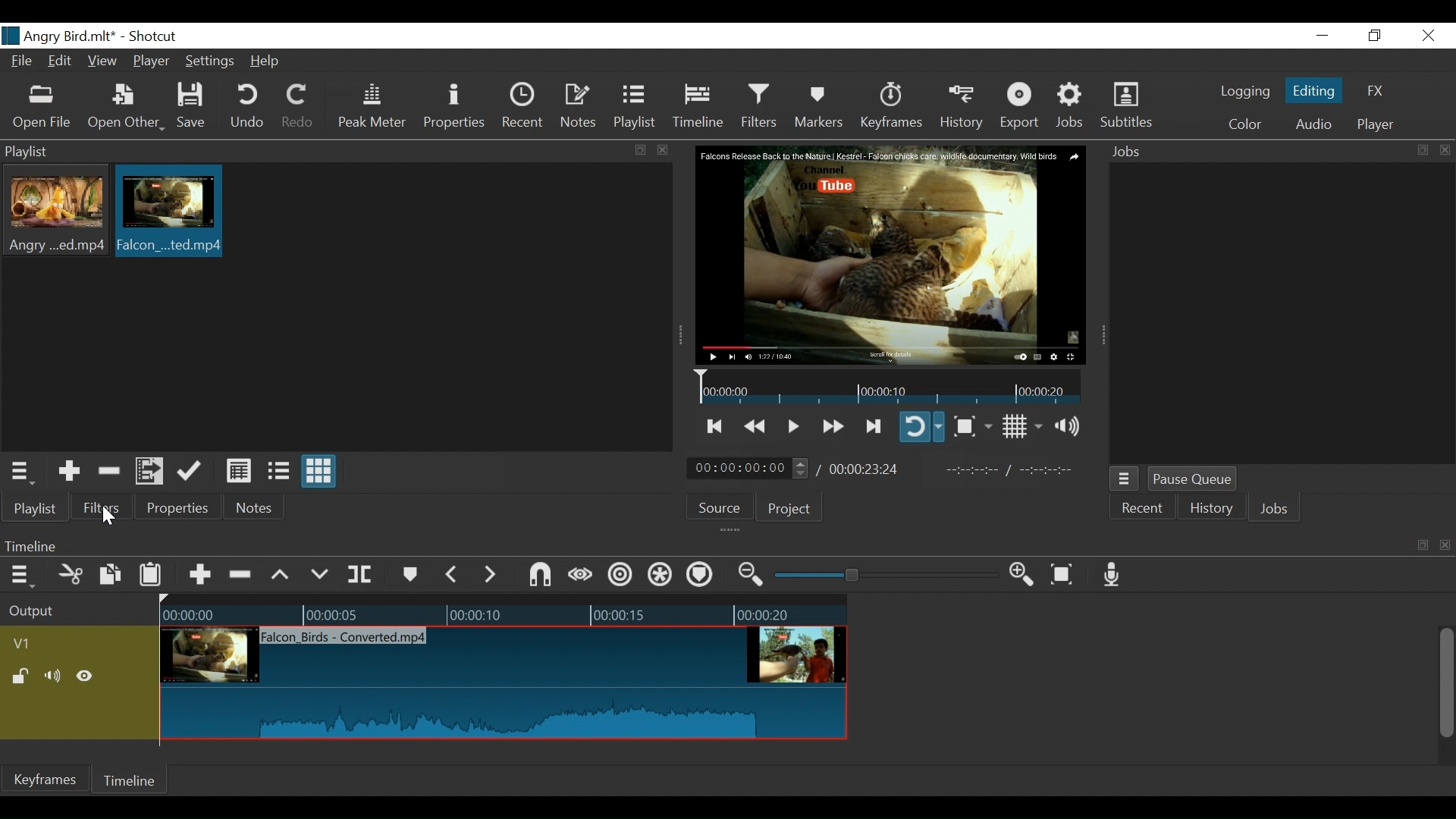 The height and width of the screenshot is (819, 1456). I want to click on (un)lock track, so click(24, 677).